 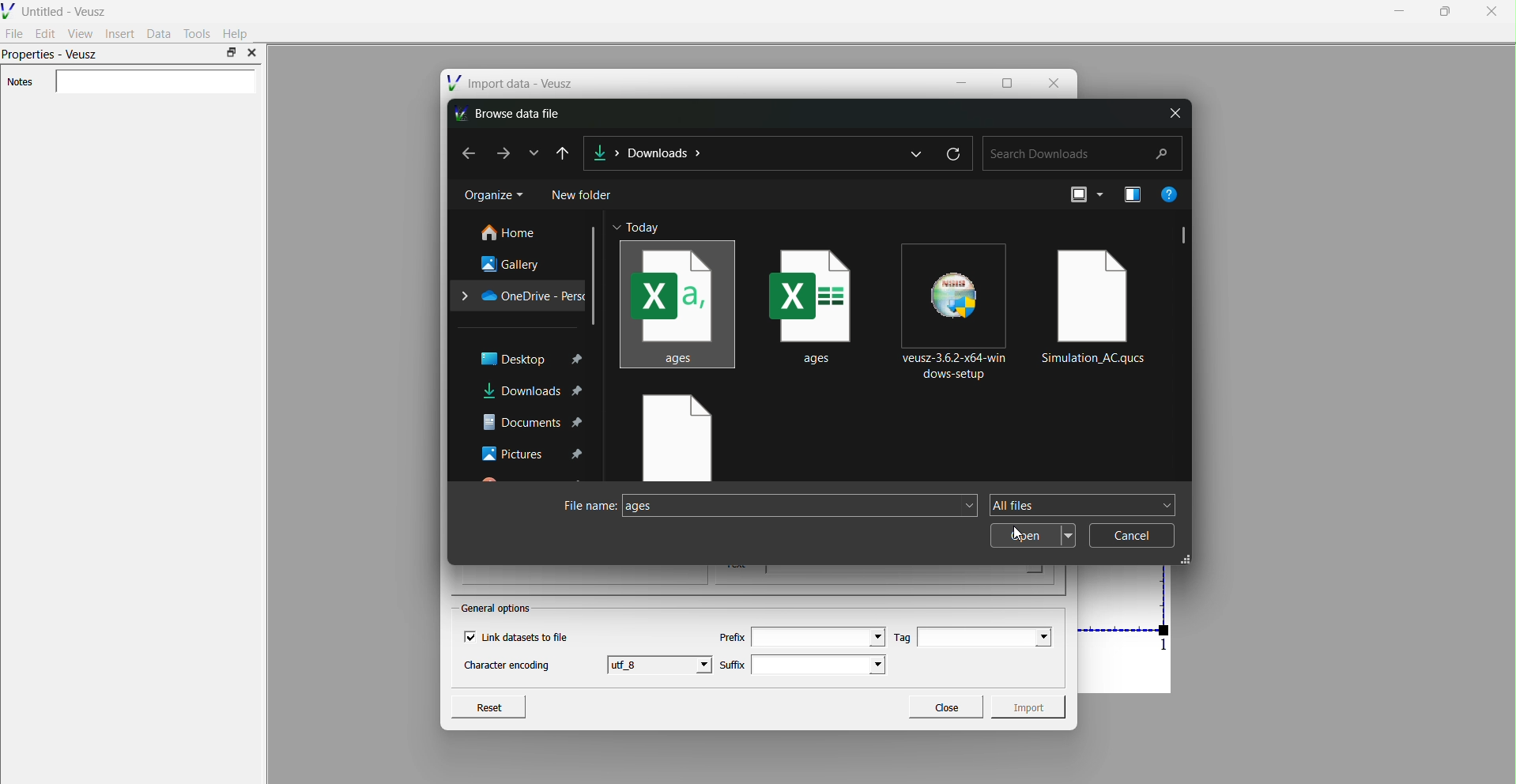 What do you see at coordinates (665, 153) in the screenshot?
I see `Downloads` at bounding box center [665, 153].